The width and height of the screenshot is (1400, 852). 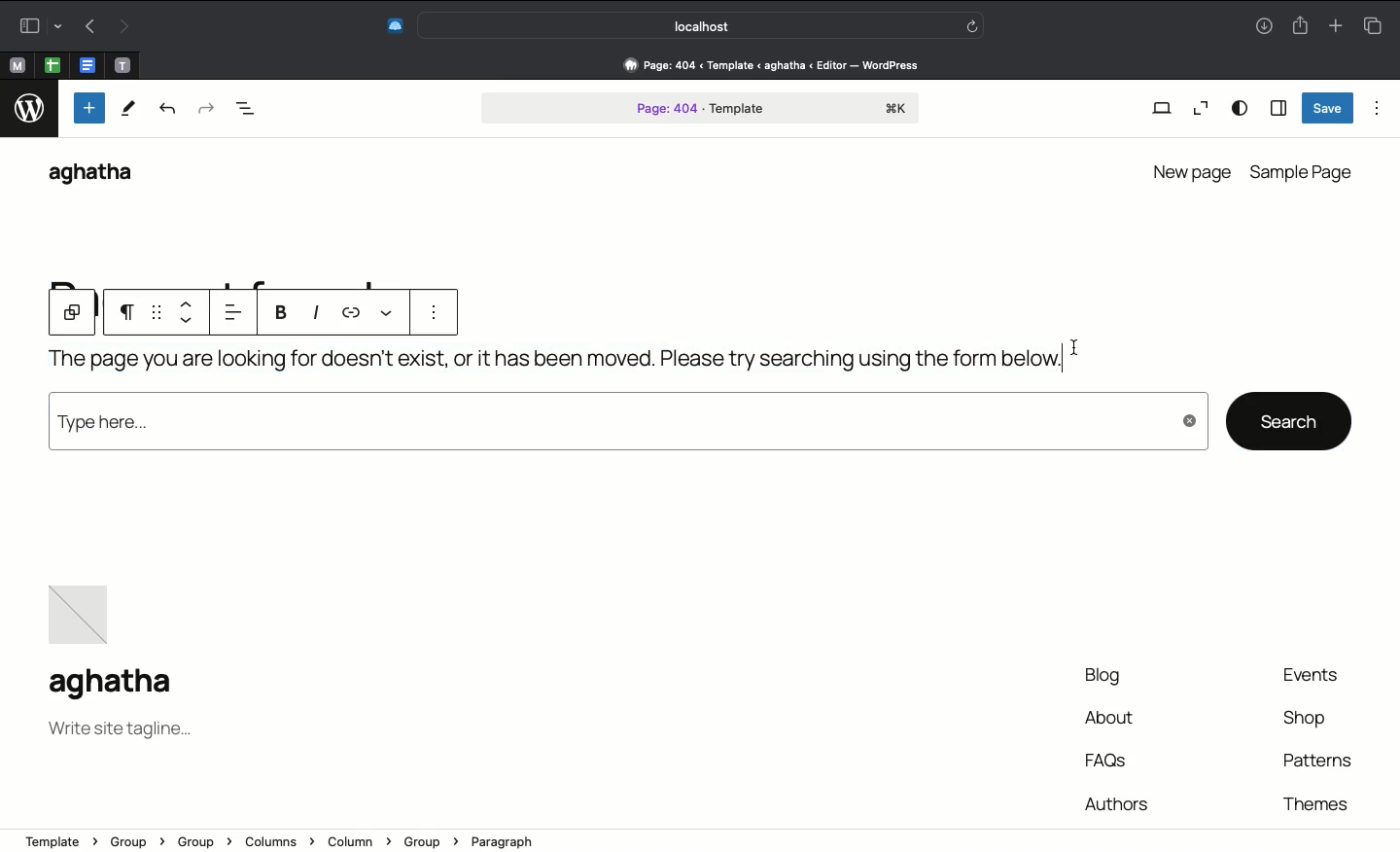 I want to click on grid, so click(x=158, y=313).